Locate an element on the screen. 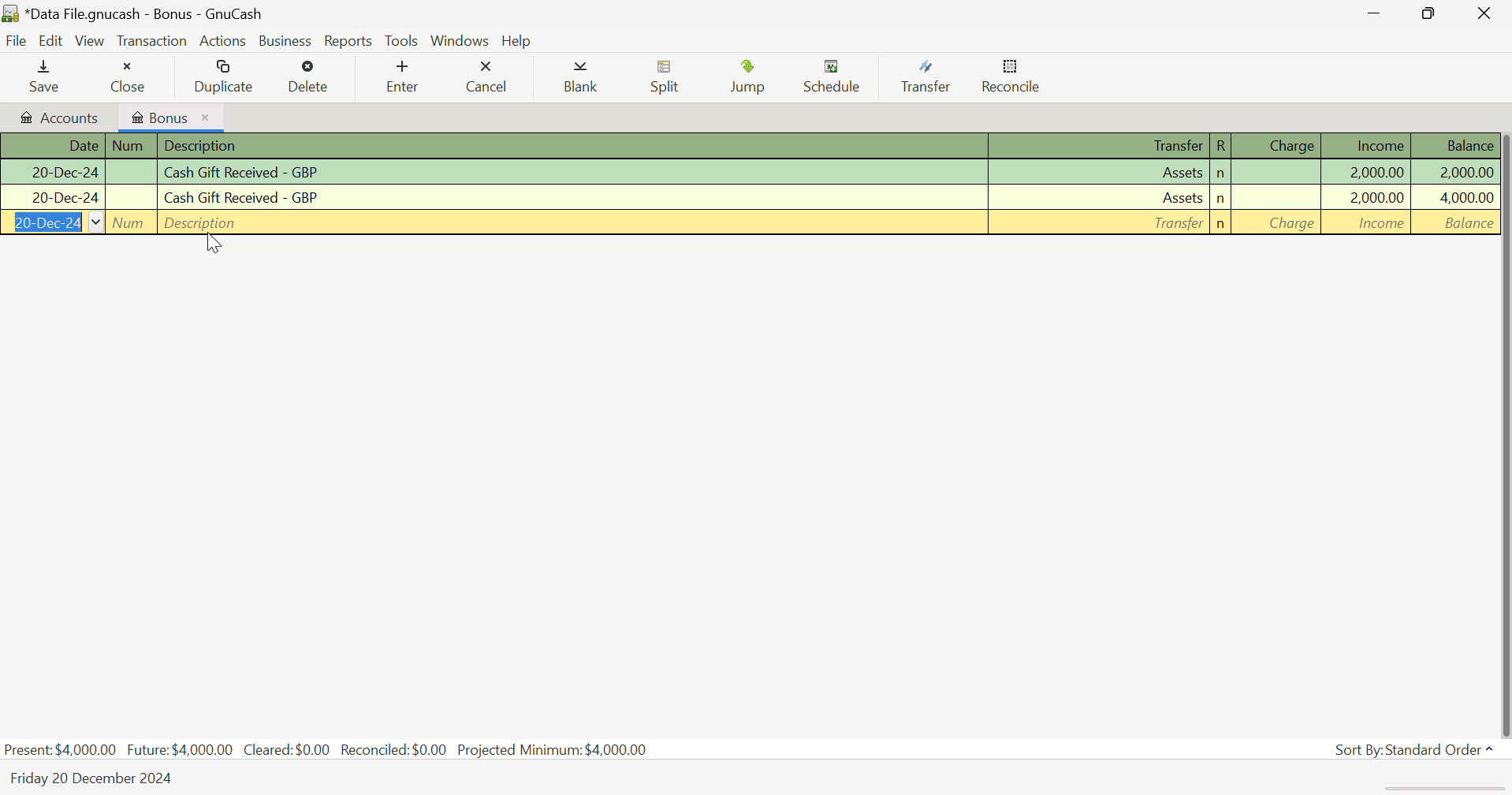 The width and height of the screenshot is (1512, 795). n is located at coordinates (1221, 199).